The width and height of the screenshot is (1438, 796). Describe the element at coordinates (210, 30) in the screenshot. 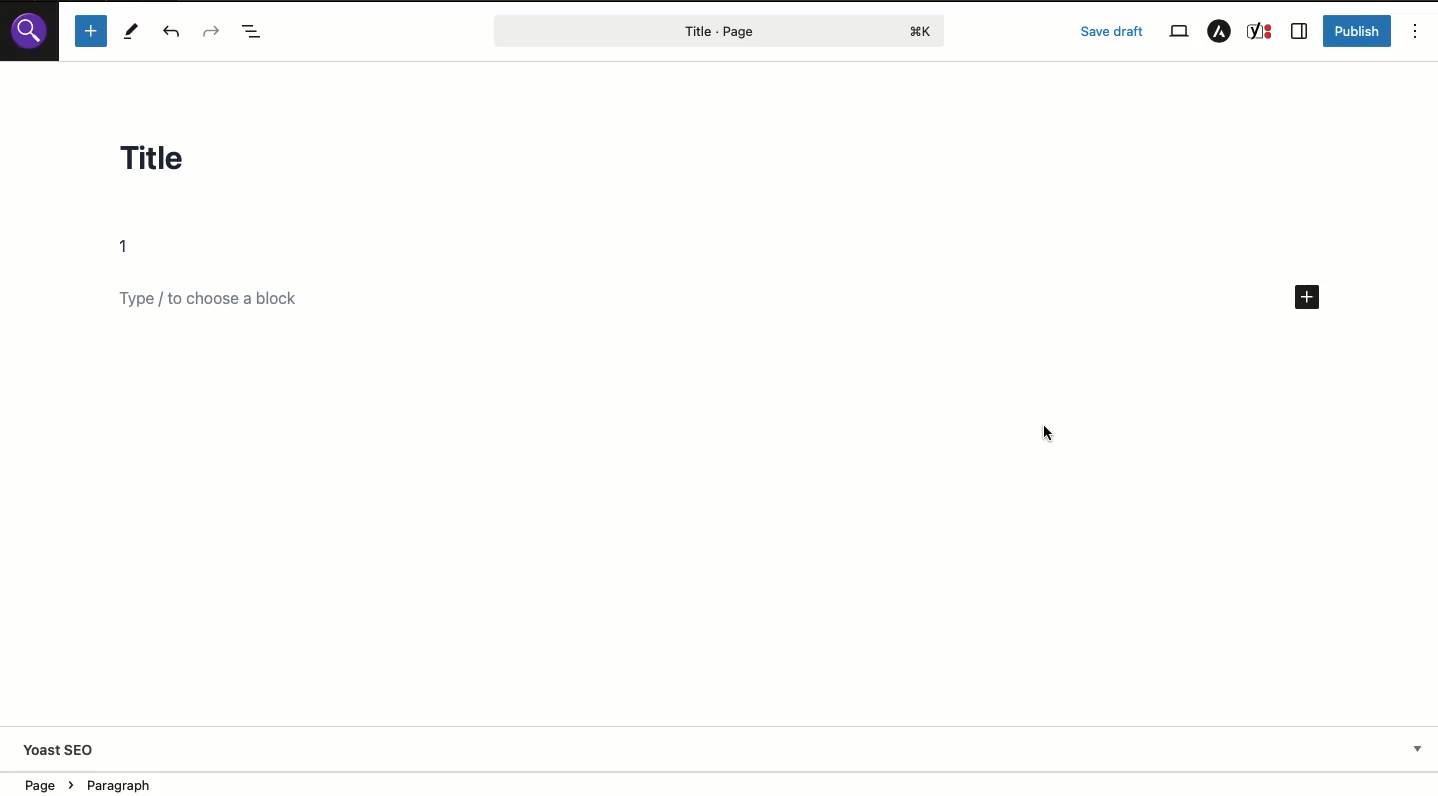

I see `Redo` at that location.